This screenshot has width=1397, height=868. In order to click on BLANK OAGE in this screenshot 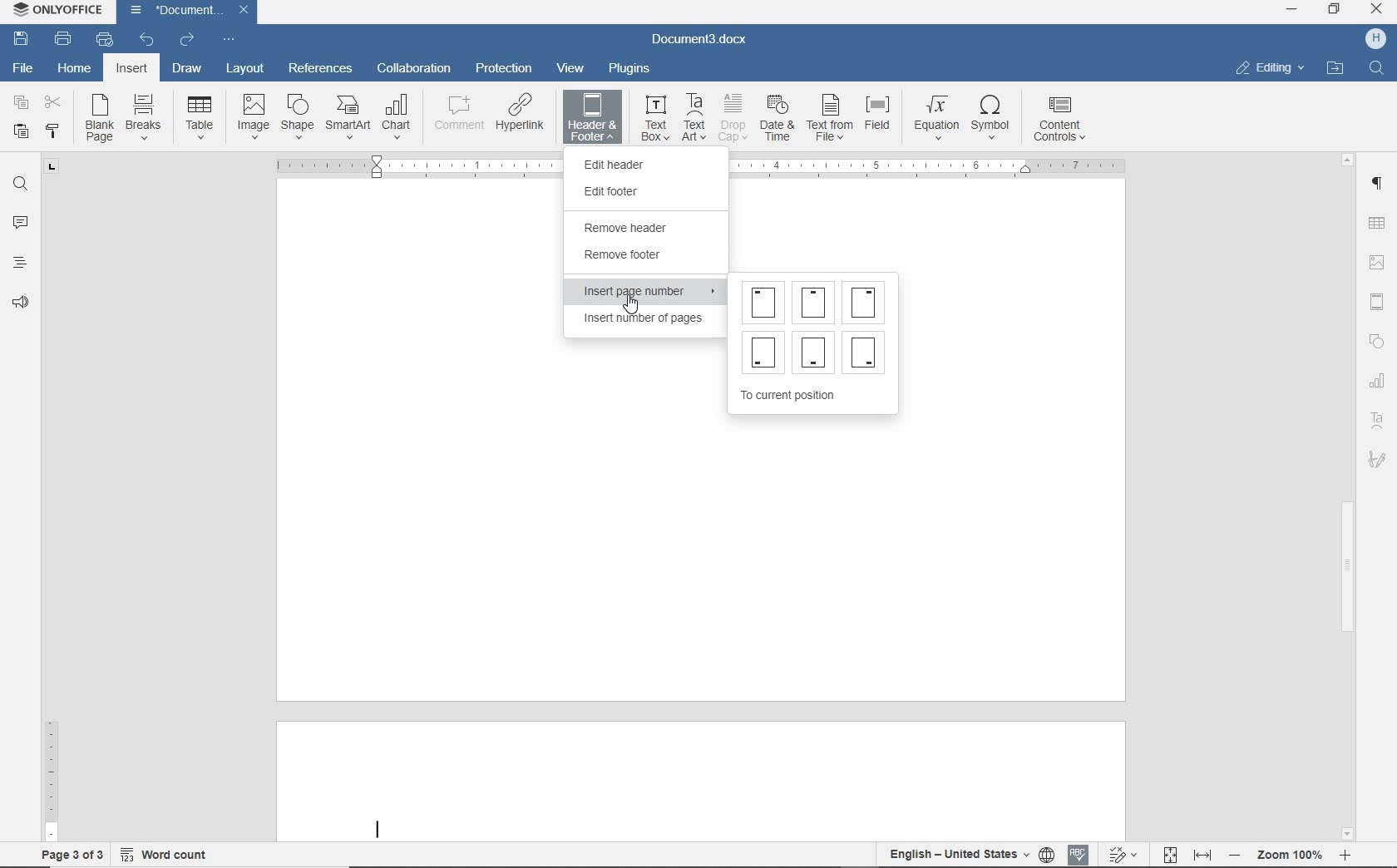, I will do `click(97, 118)`.